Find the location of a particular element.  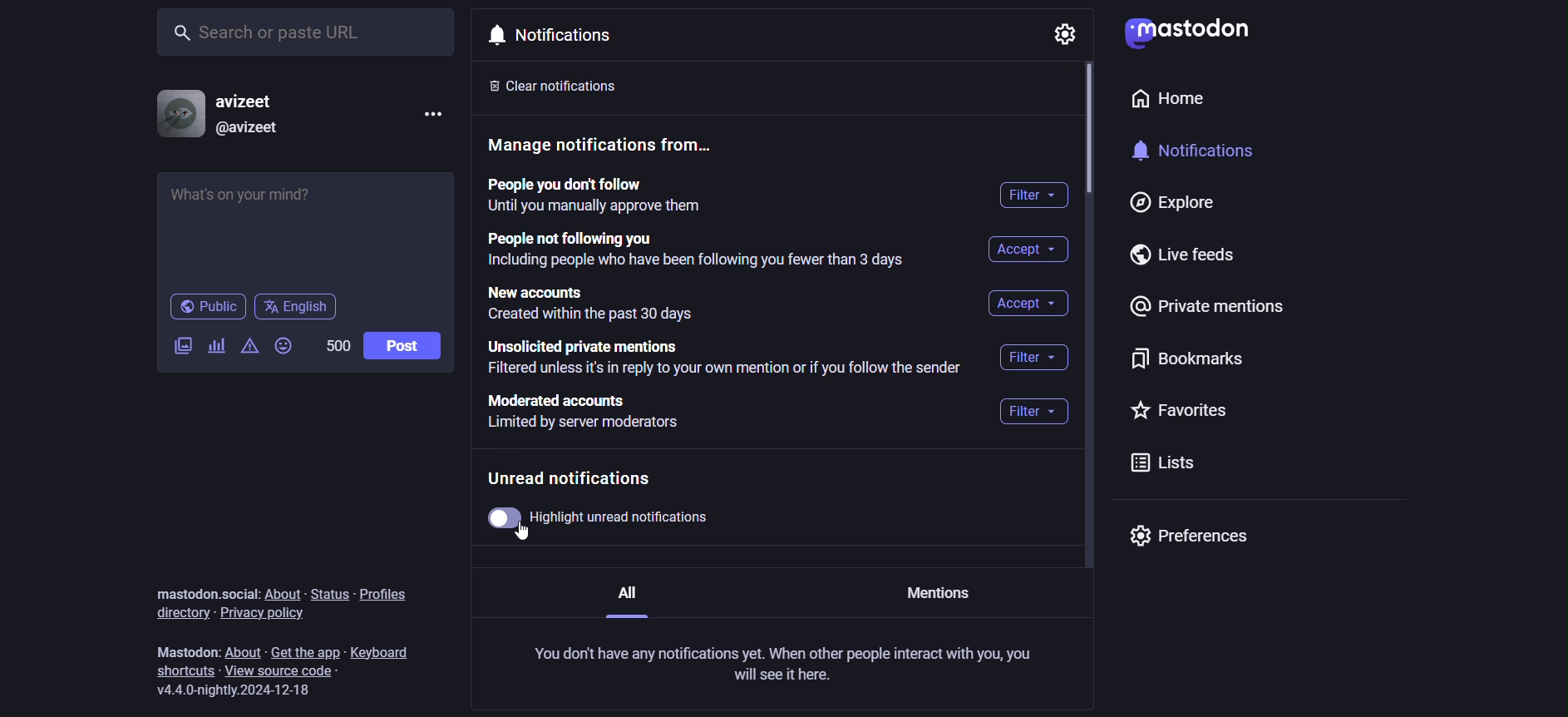

preferences is located at coordinates (1191, 535).